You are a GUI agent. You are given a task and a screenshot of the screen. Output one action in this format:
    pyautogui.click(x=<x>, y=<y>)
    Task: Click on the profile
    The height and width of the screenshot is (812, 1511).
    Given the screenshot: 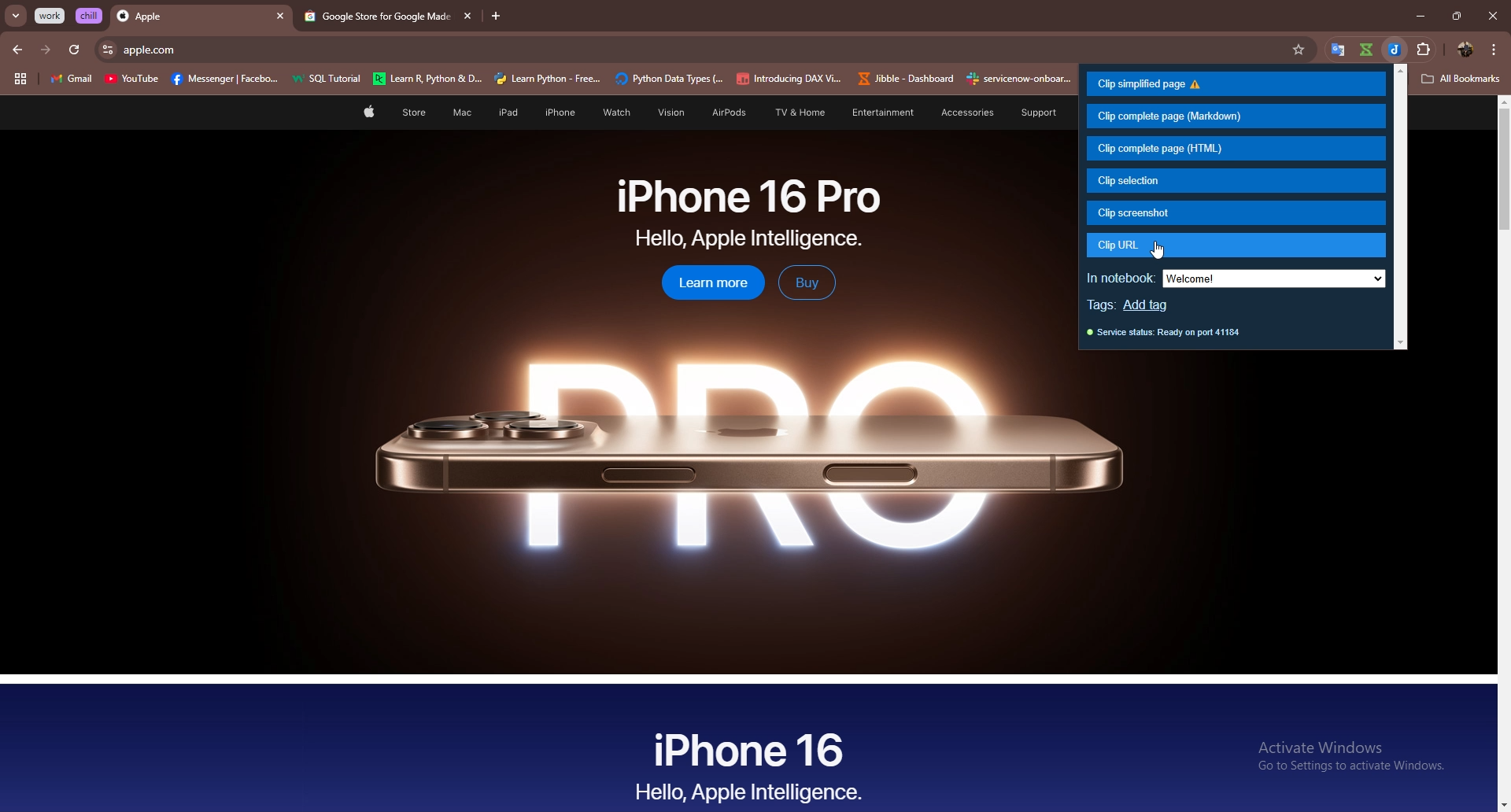 What is the action you would take?
    pyautogui.click(x=1464, y=50)
    